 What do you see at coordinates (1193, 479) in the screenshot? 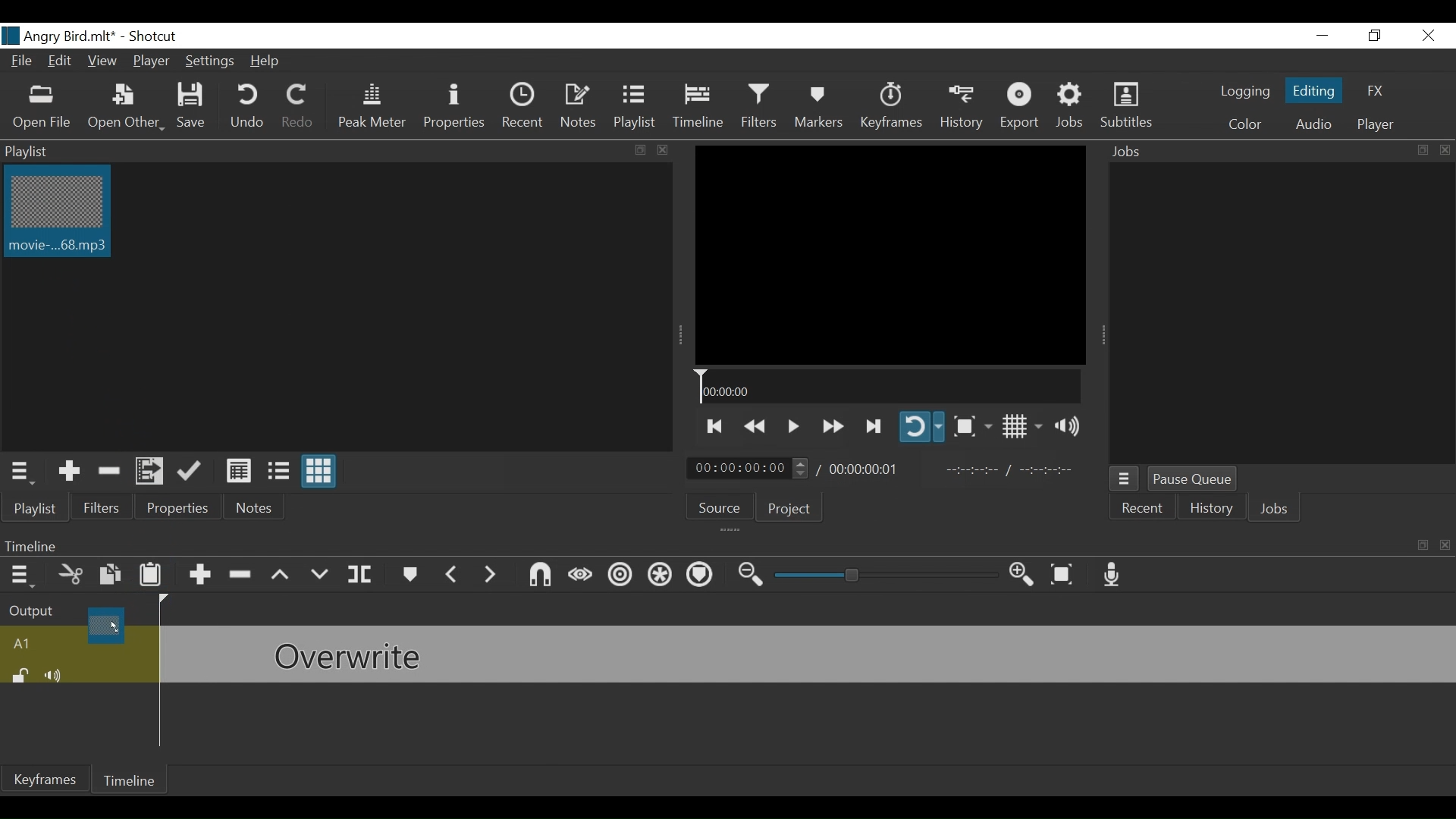
I see `Pause Queue` at bounding box center [1193, 479].